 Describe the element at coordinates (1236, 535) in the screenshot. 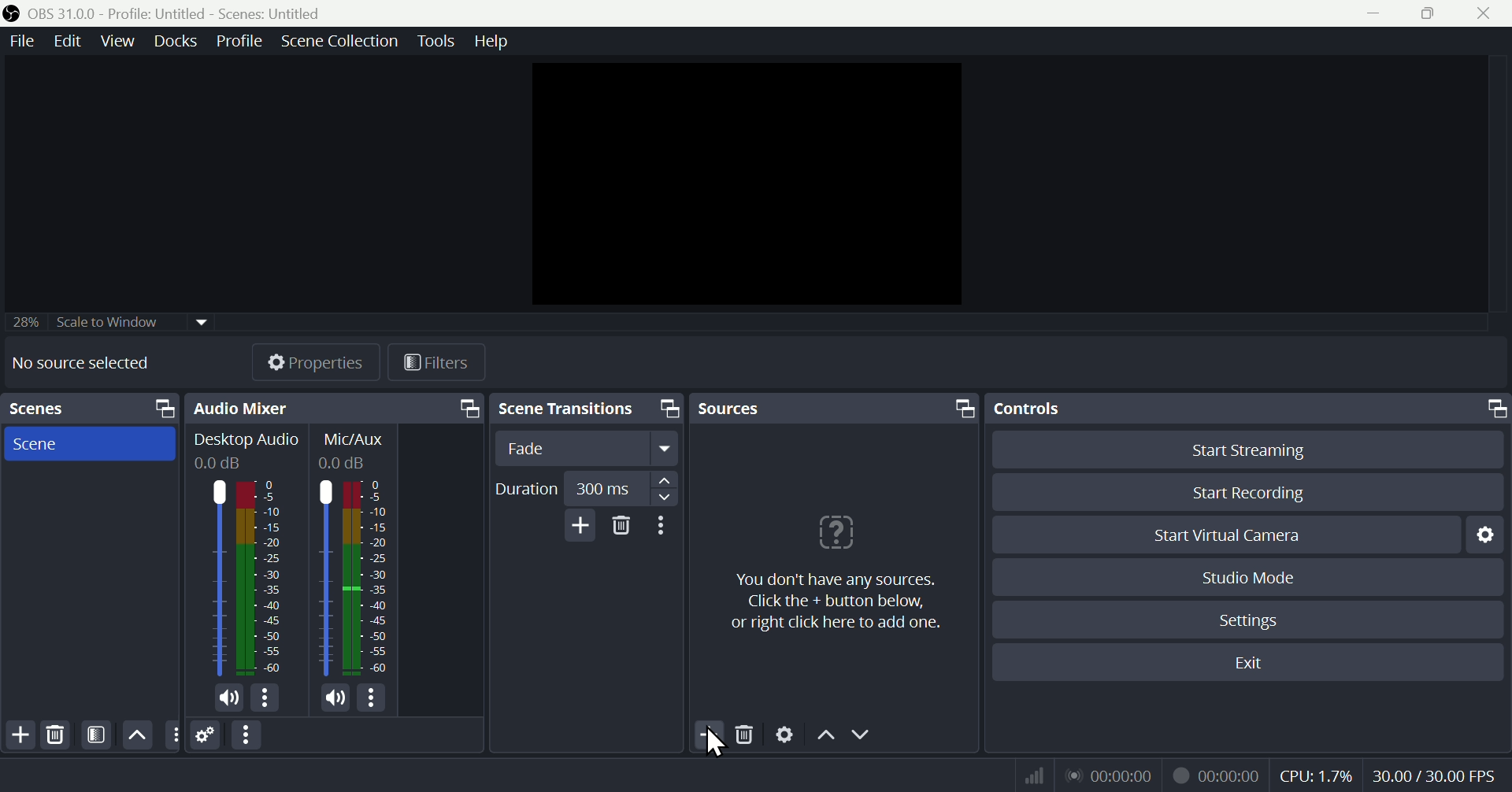

I see `start Virtual camera` at that location.